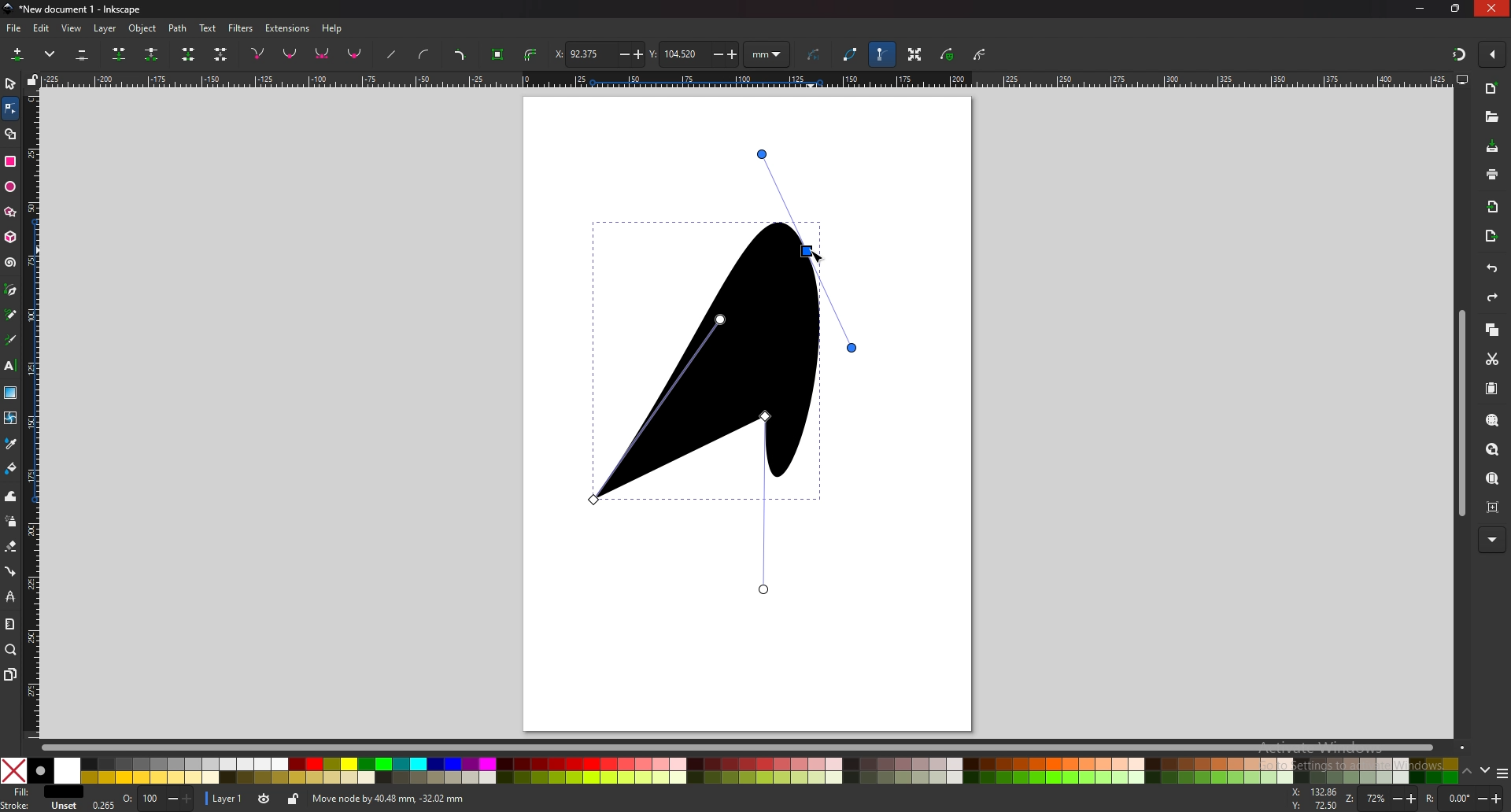 This screenshot has width=1511, height=812. Describe the element at coordinates (290, 53) in the screenshot. I see `nodes smooth` at that location.